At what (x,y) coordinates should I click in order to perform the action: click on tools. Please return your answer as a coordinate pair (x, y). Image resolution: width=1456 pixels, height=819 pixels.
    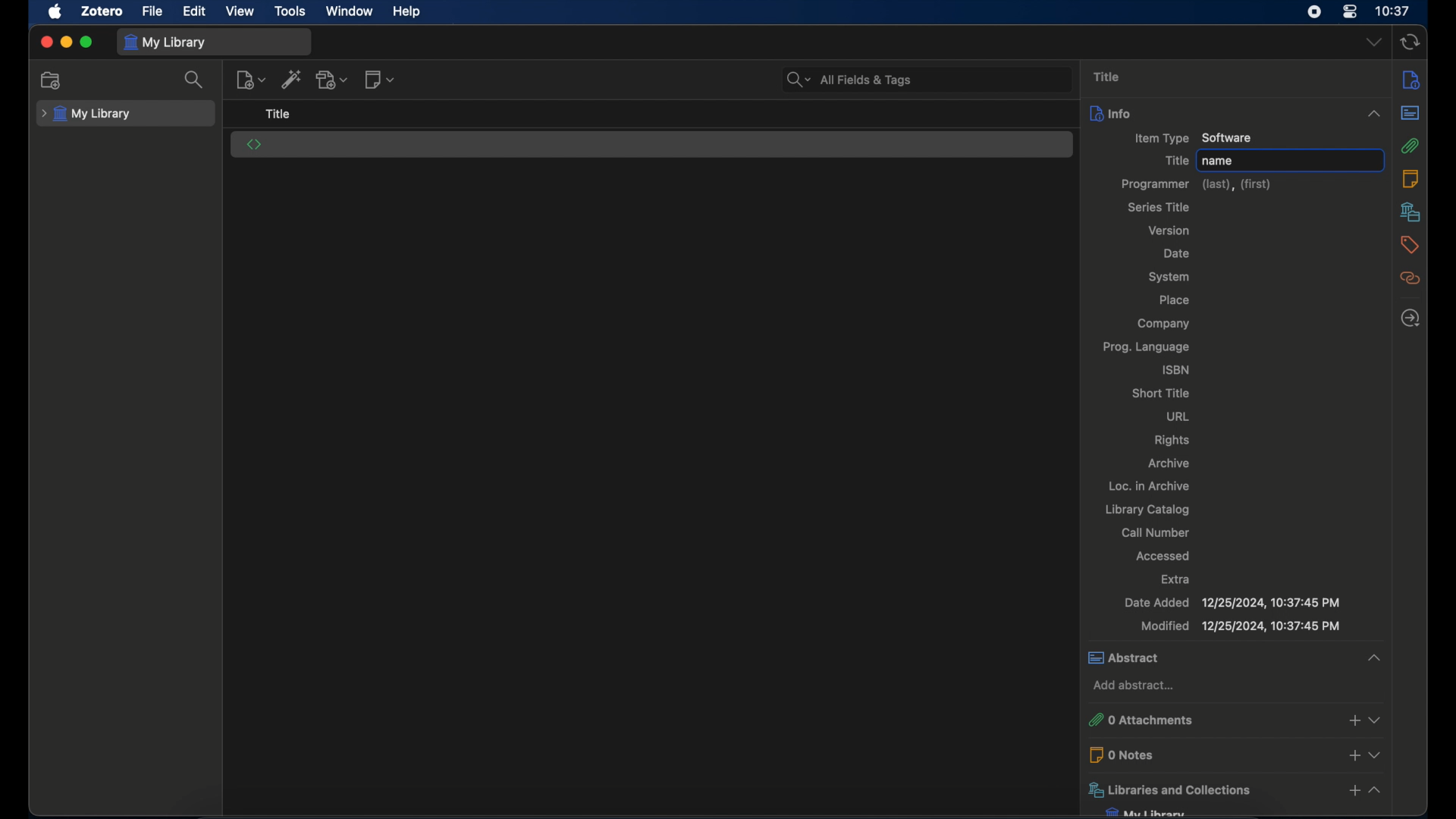
    Looking at the image, I should click on (290, 11).